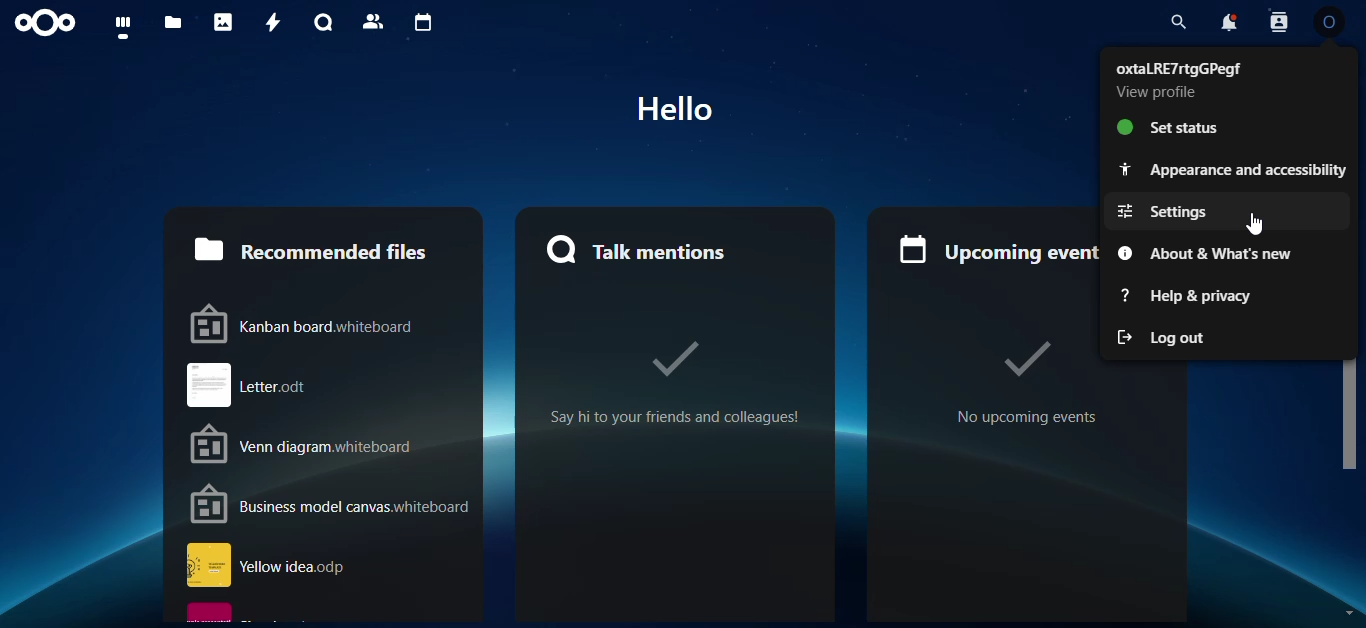  Describe the element at coordinates (995, 249) in the screenshot. I see `upcoming events` at that location.